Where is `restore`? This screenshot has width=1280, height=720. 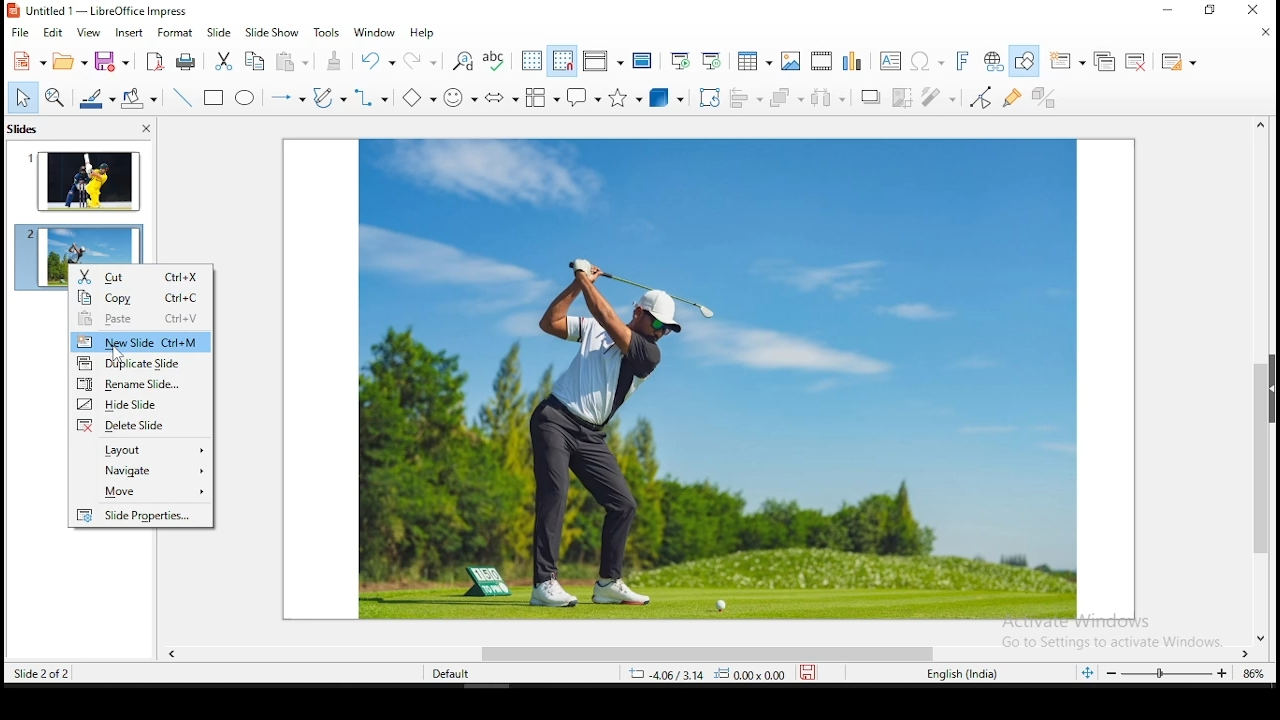
restore is located at coordinates (1211, 10).